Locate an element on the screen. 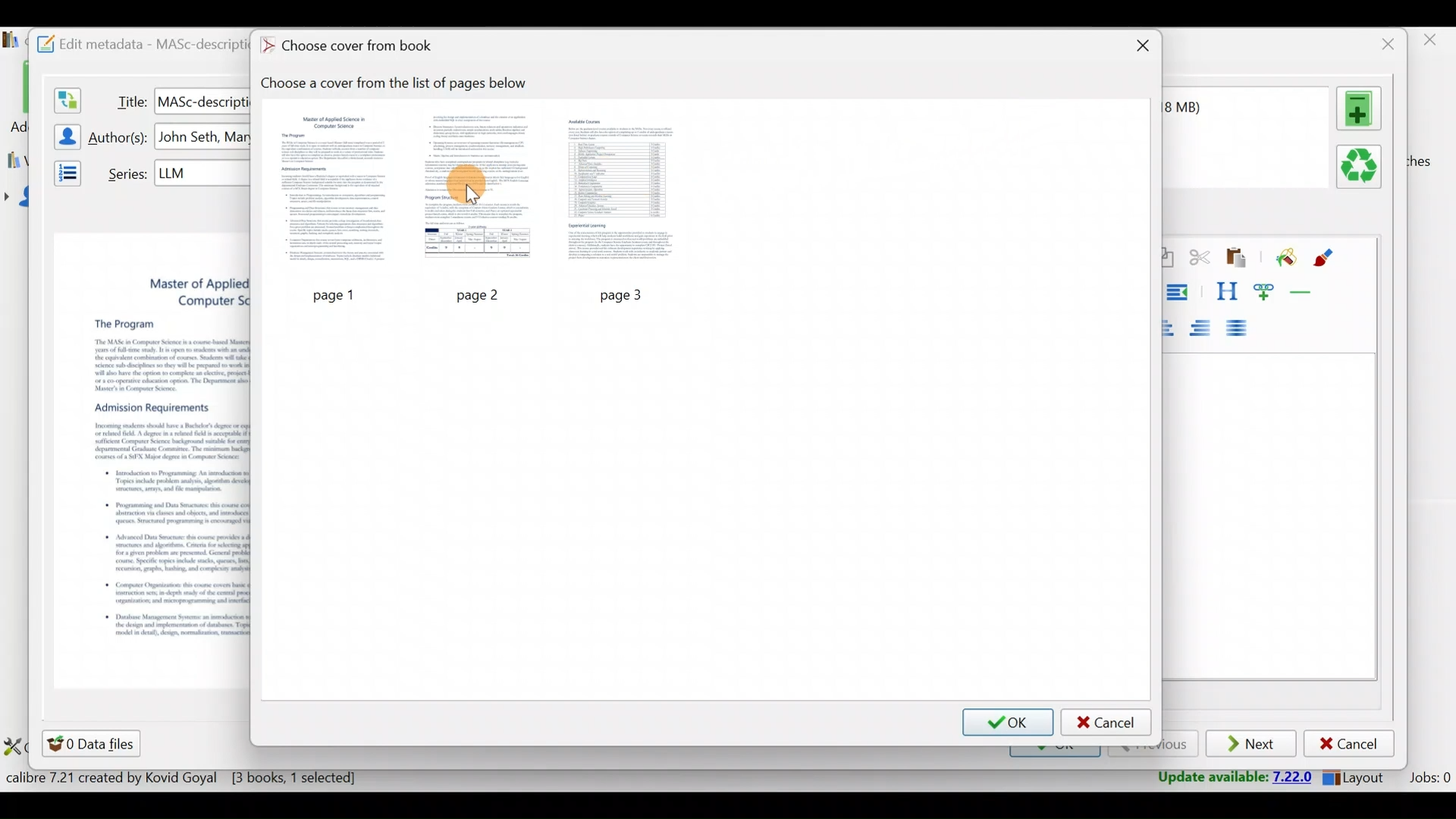 The image size is (1456, 819).  is located at coordinates (334, 293).